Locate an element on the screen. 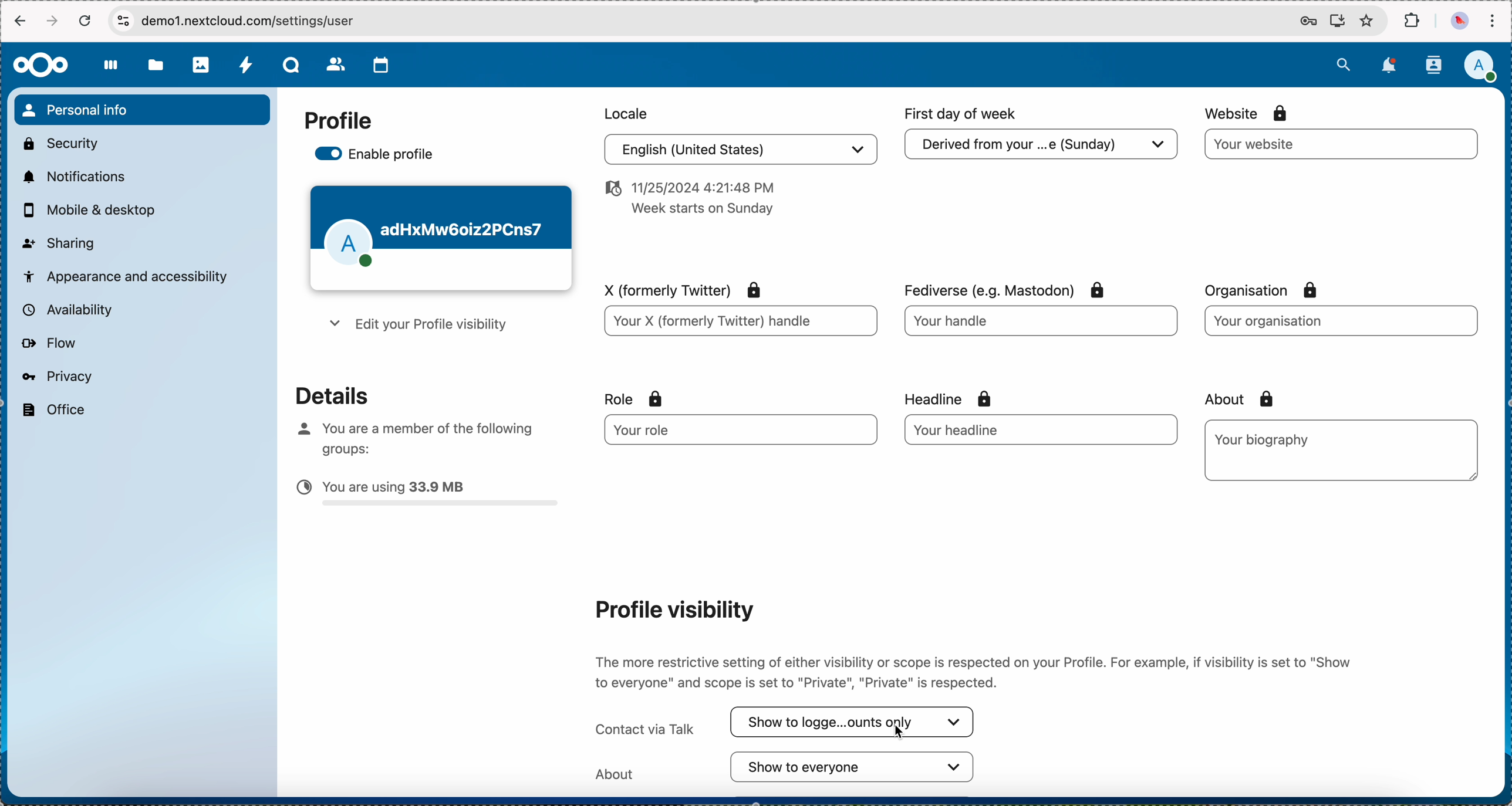 Image resolution: width=1512 pixels, height=806 pixels. profile visibility is located at coordinates (673, 609).